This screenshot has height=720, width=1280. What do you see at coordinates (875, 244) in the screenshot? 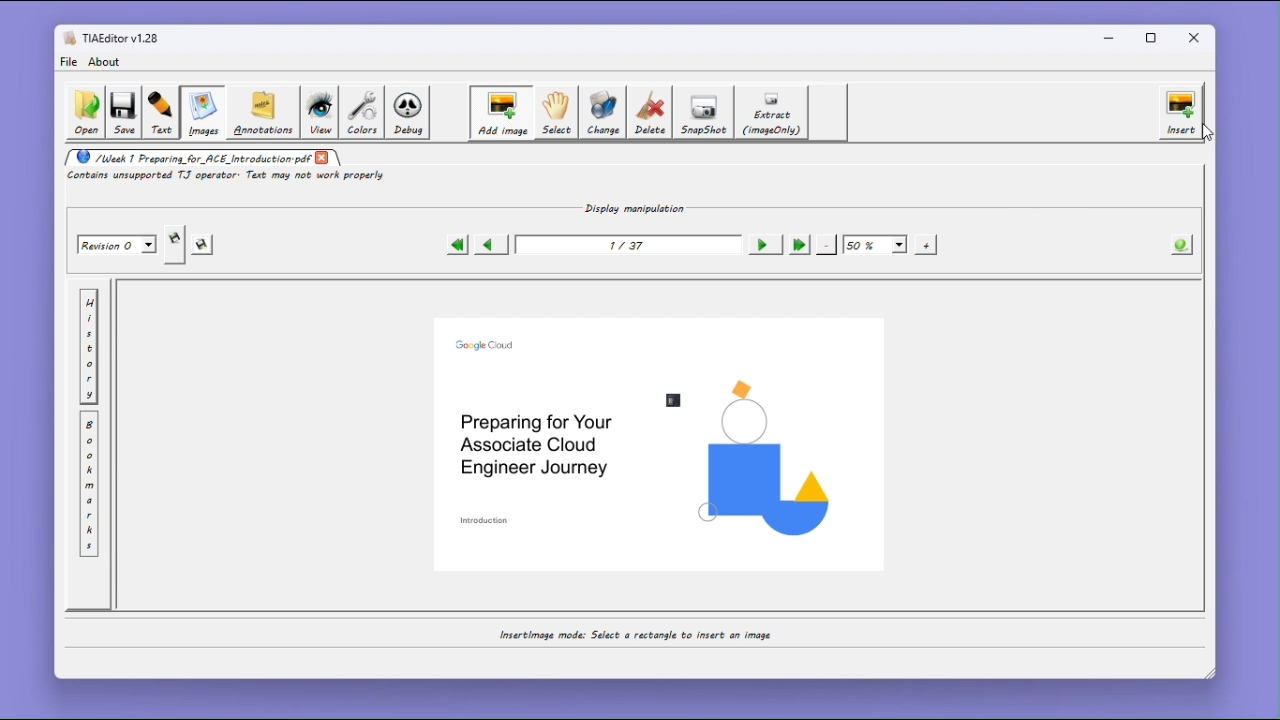
I see `50%` at bounding box center [875, 244].